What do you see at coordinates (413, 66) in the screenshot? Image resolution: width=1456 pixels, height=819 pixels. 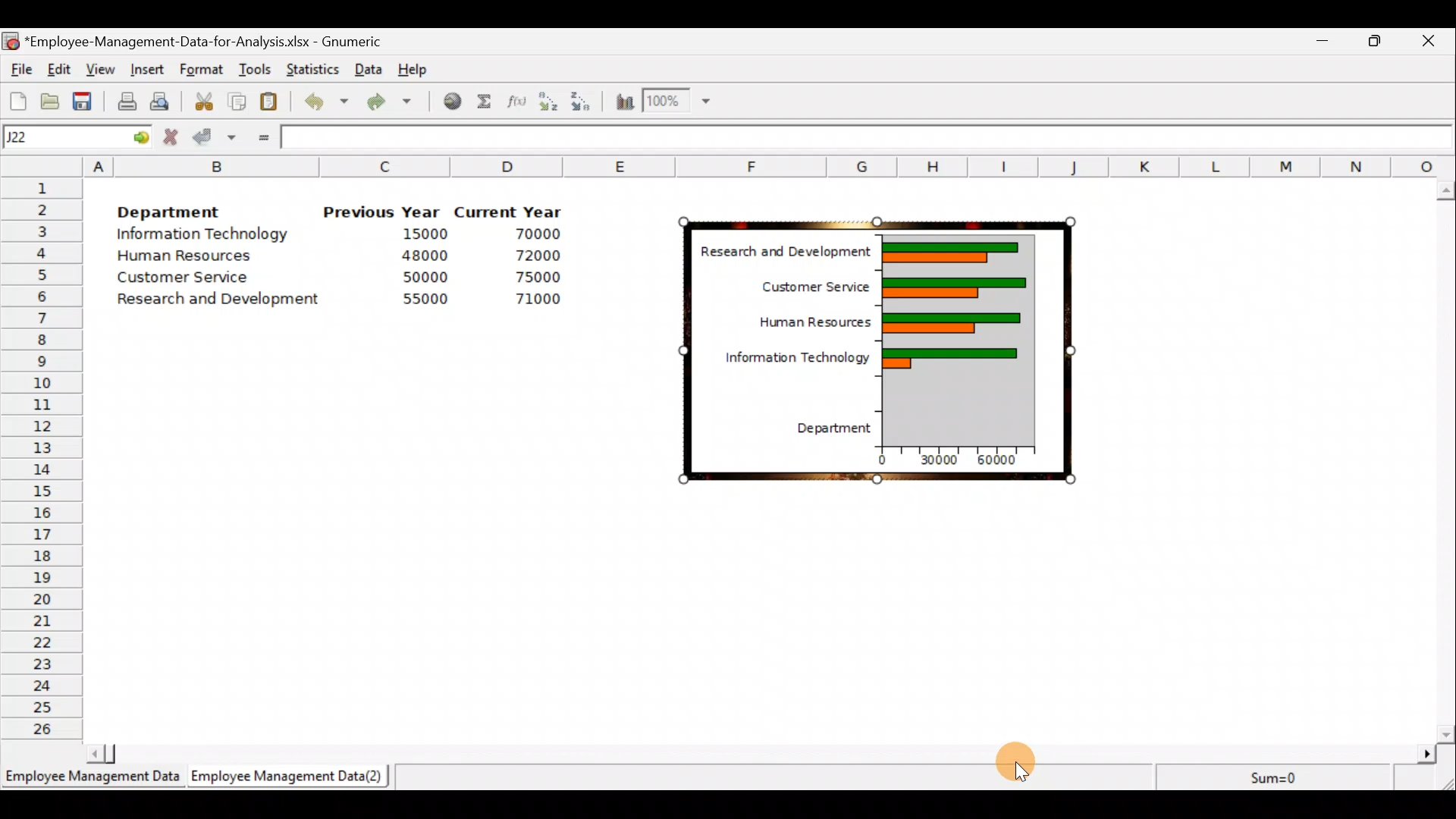 I see `Help` at bounding box center [413, 66].